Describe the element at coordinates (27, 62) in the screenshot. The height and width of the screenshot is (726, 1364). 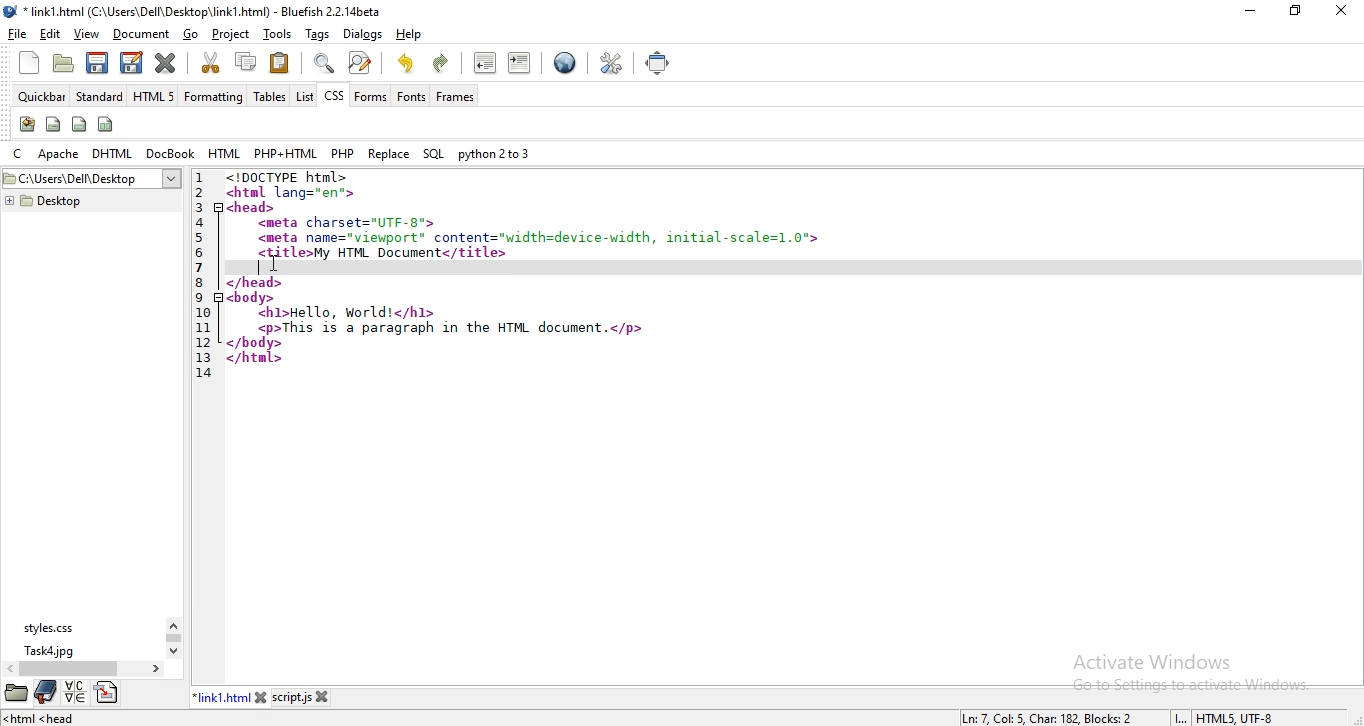
I see `new file` at that location.